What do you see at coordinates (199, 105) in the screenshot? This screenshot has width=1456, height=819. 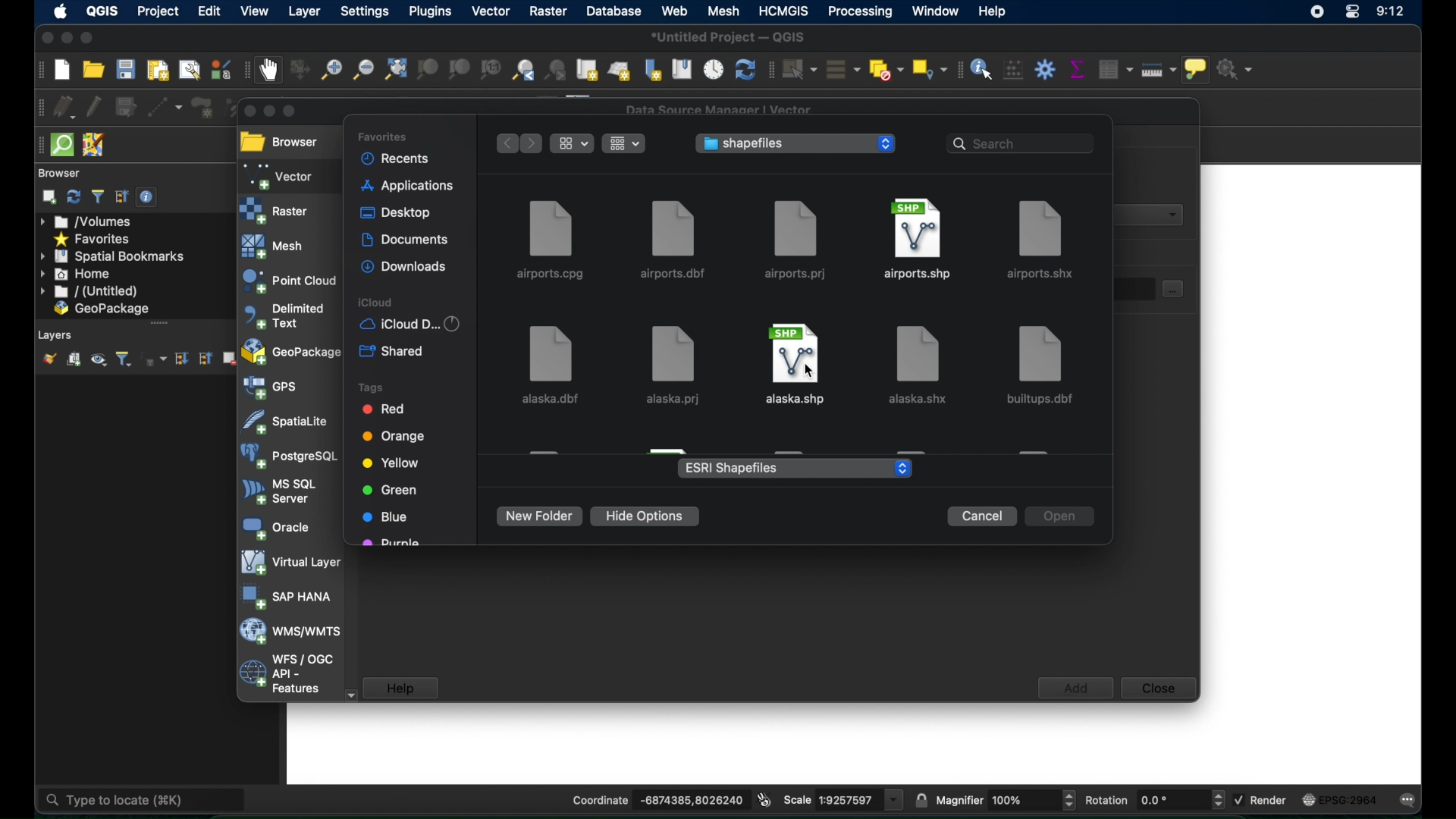 I see `add polygon feature` at bounding box center [199, 105].